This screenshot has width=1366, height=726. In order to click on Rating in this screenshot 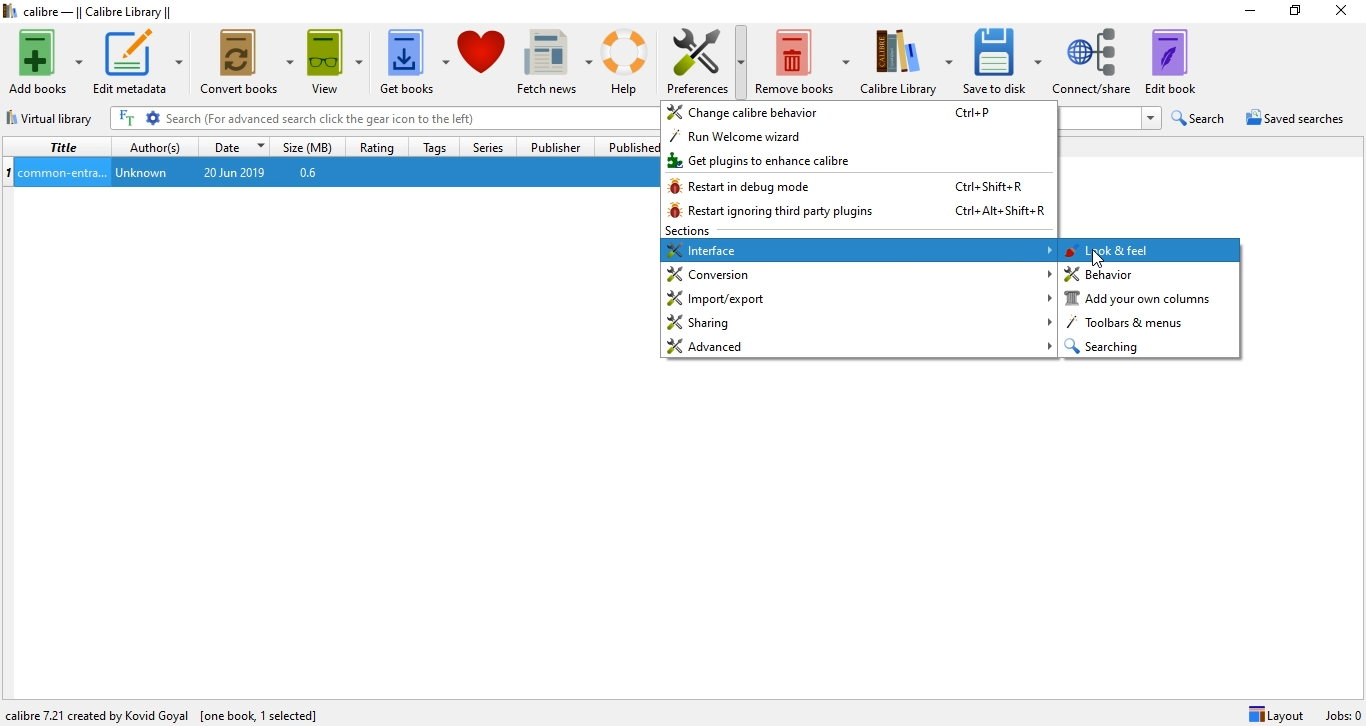, I will do `click(379, 144)`.